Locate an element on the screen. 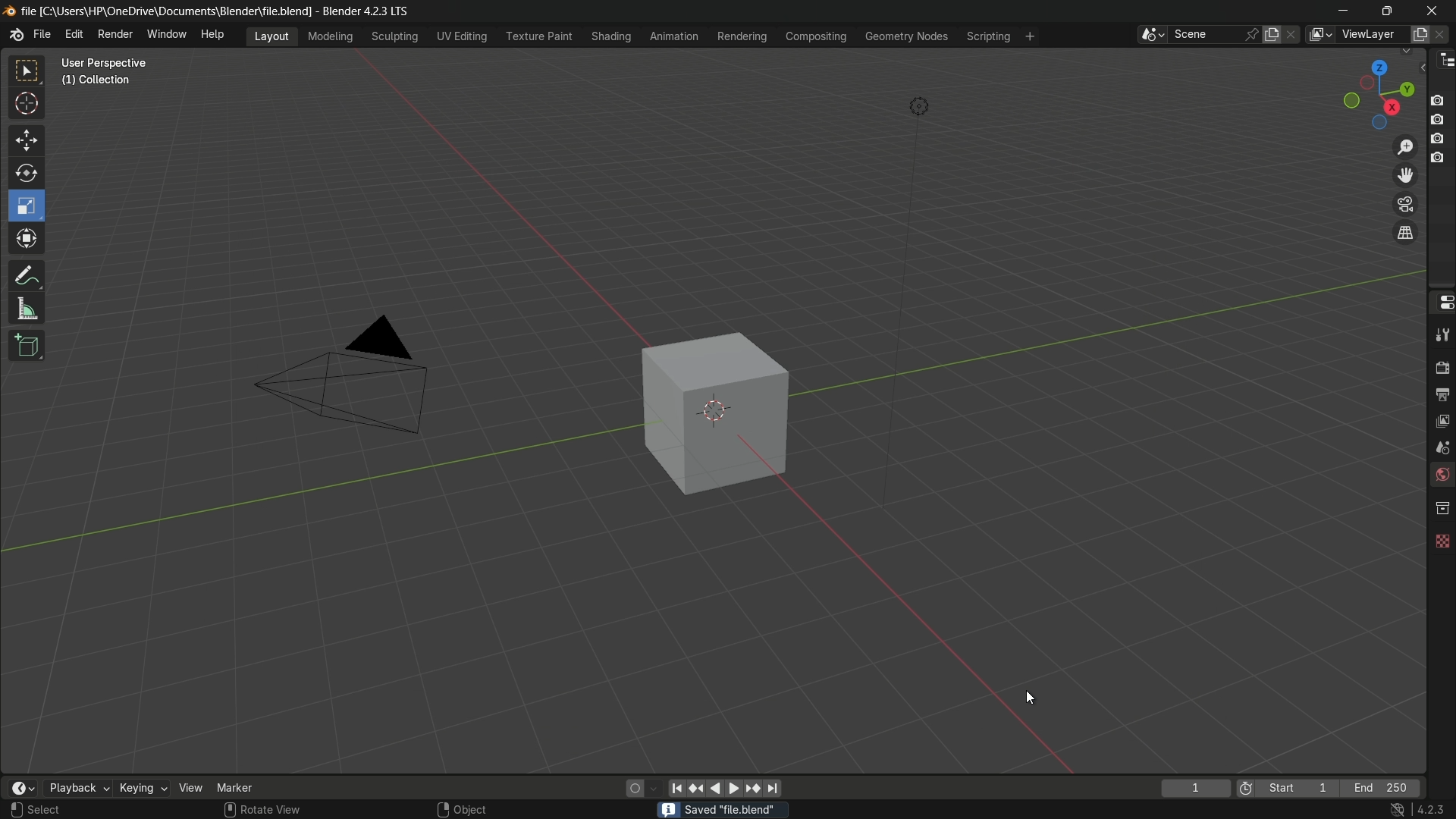 This screenshot has height=819, width=1456. scripting menu is located at coordinates (987, 36).